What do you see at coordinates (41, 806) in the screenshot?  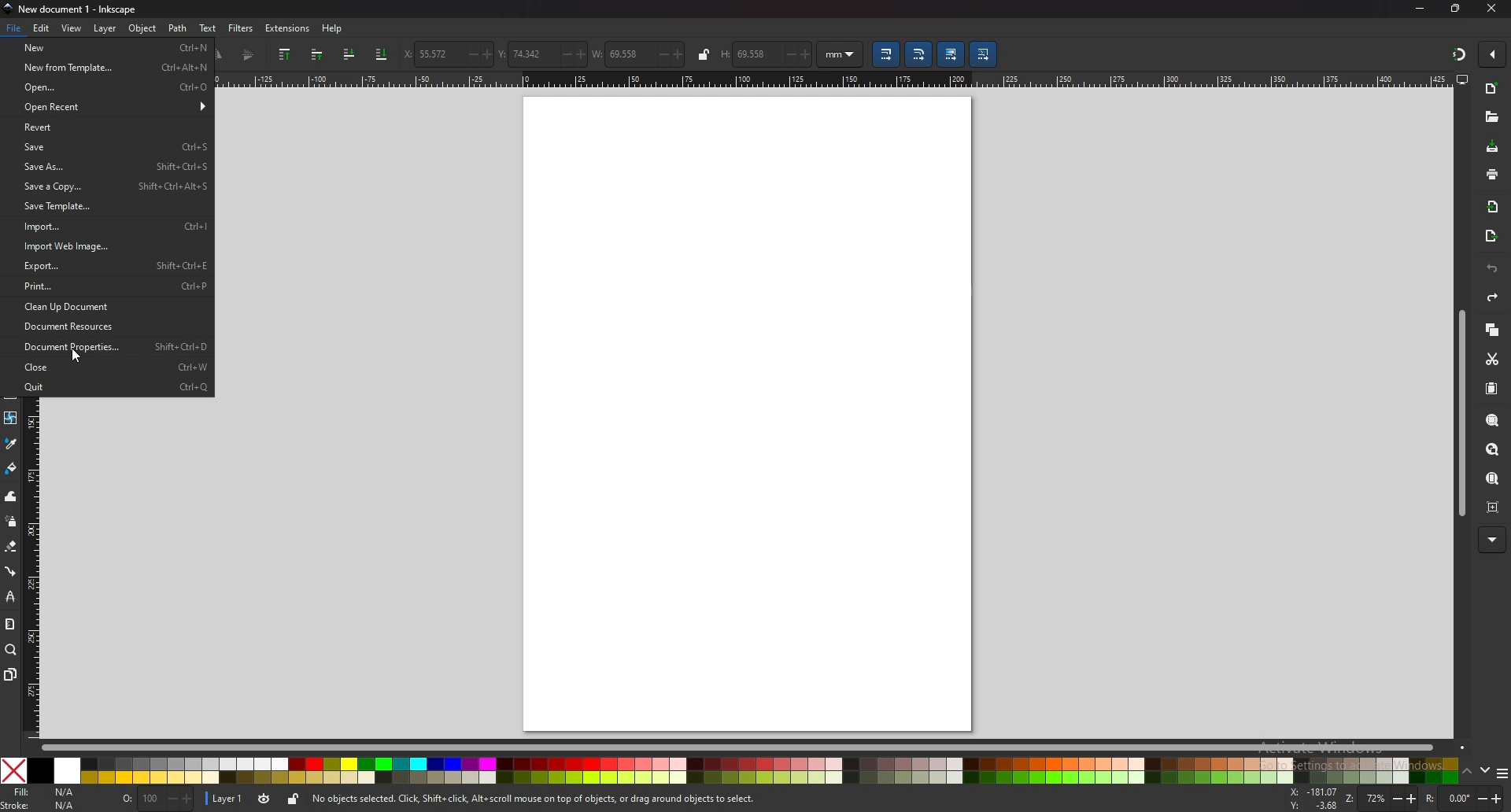 I see `Stroke` at bounding box center [41, 806].